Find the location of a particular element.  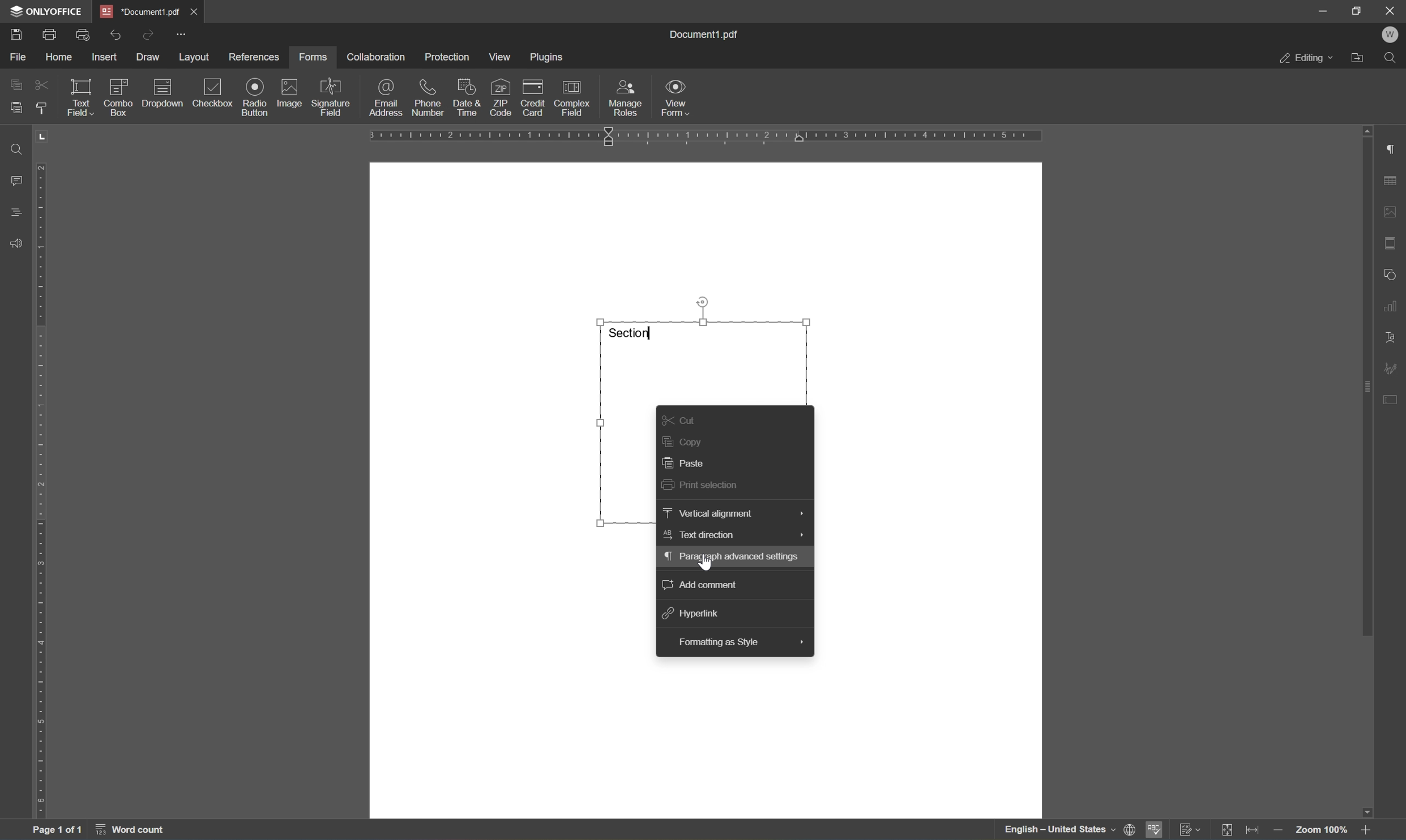

feedback &support is located at coordinates (17, 242).